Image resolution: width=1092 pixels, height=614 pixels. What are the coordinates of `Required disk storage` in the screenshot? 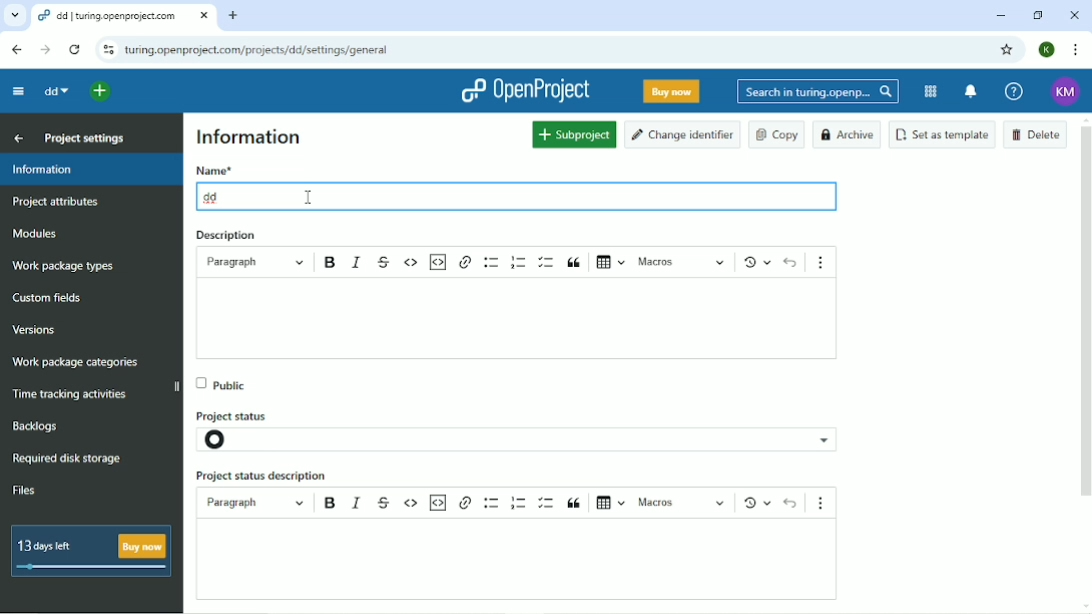 It's located at (67, 460).